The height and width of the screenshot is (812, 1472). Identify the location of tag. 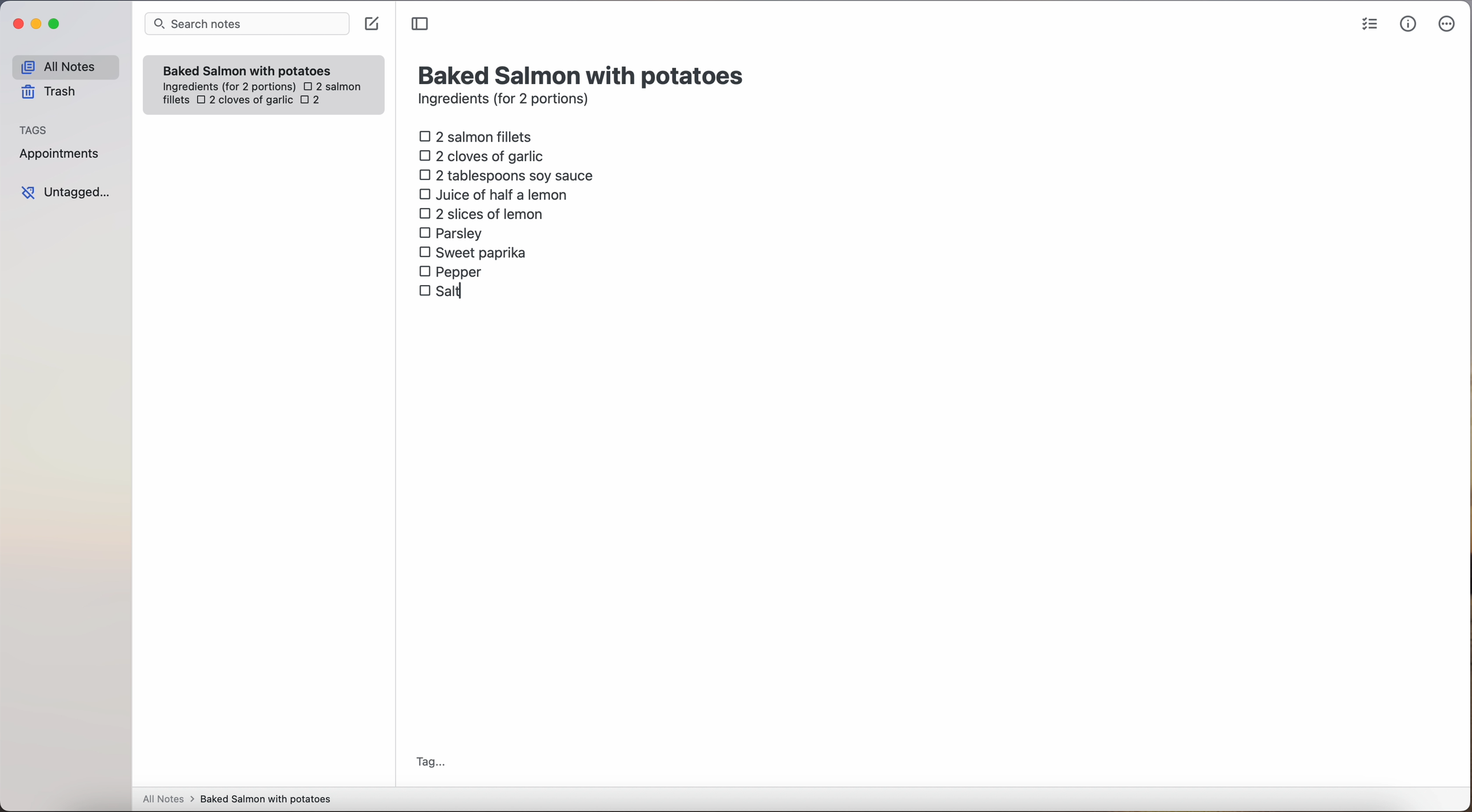
(430, 763).